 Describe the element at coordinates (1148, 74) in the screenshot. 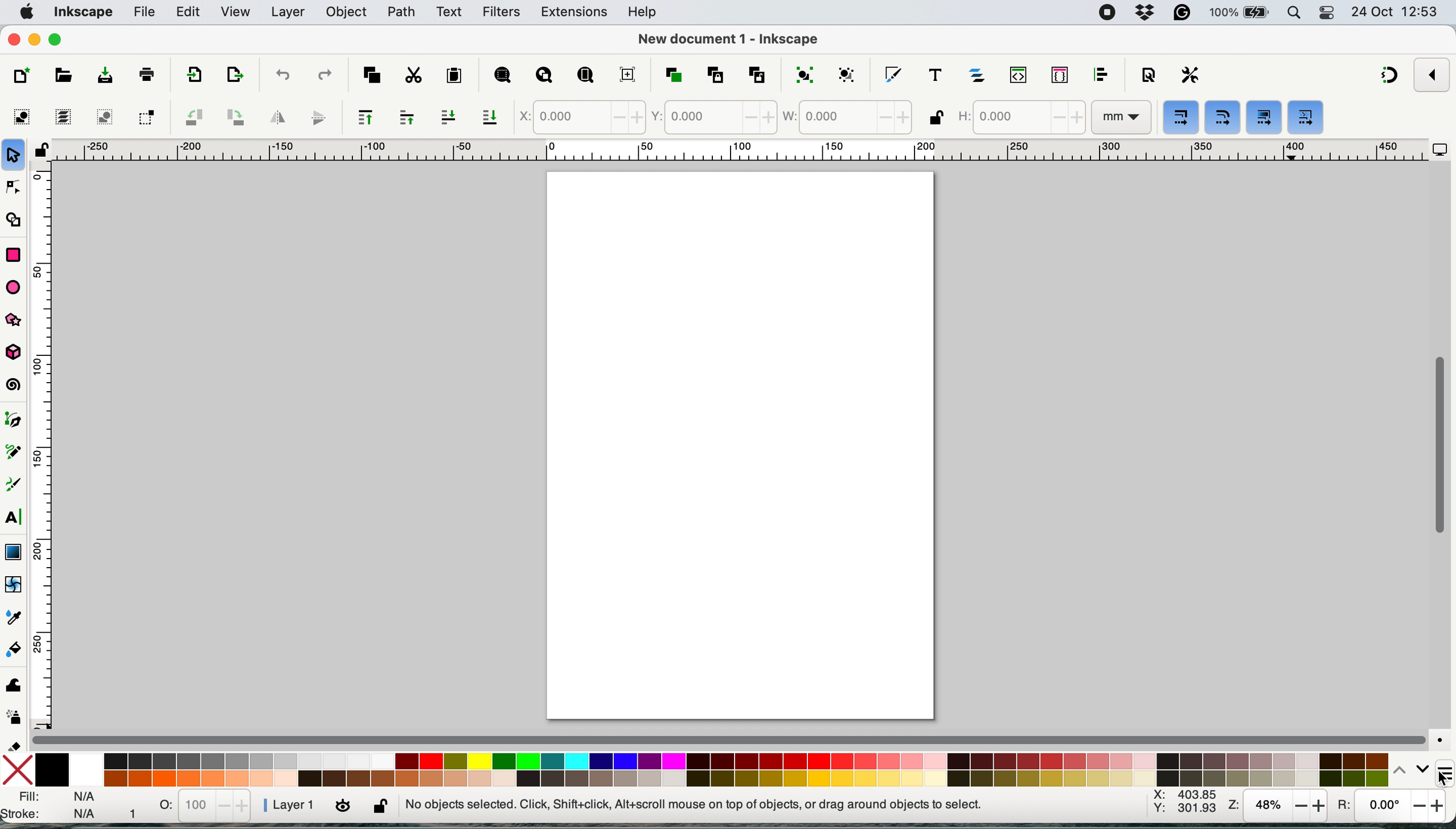

I see `document properties` at that location.